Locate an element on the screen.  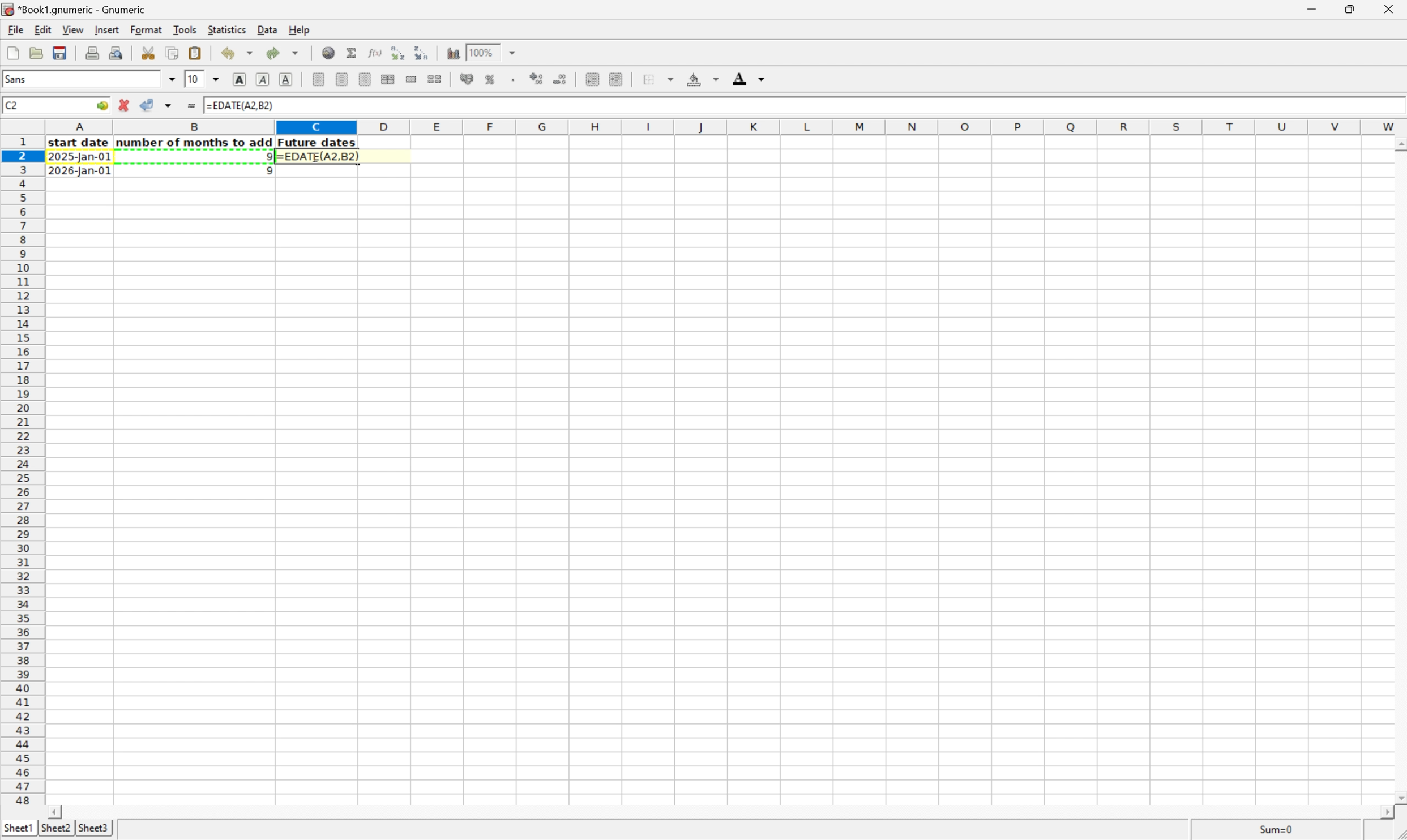
File is located at coordinates (16, 29).